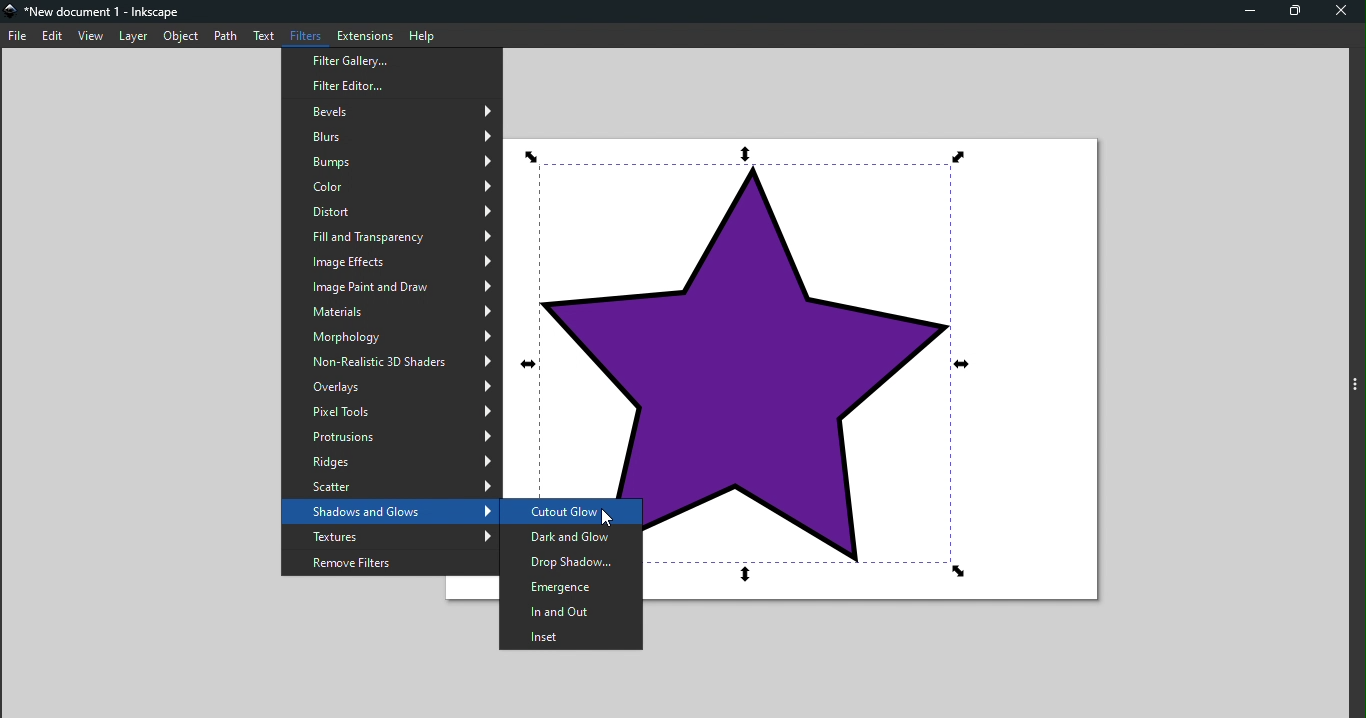 This screenshot has height=718, width=1366. I want to click on Minimize, so click(1243, 11).